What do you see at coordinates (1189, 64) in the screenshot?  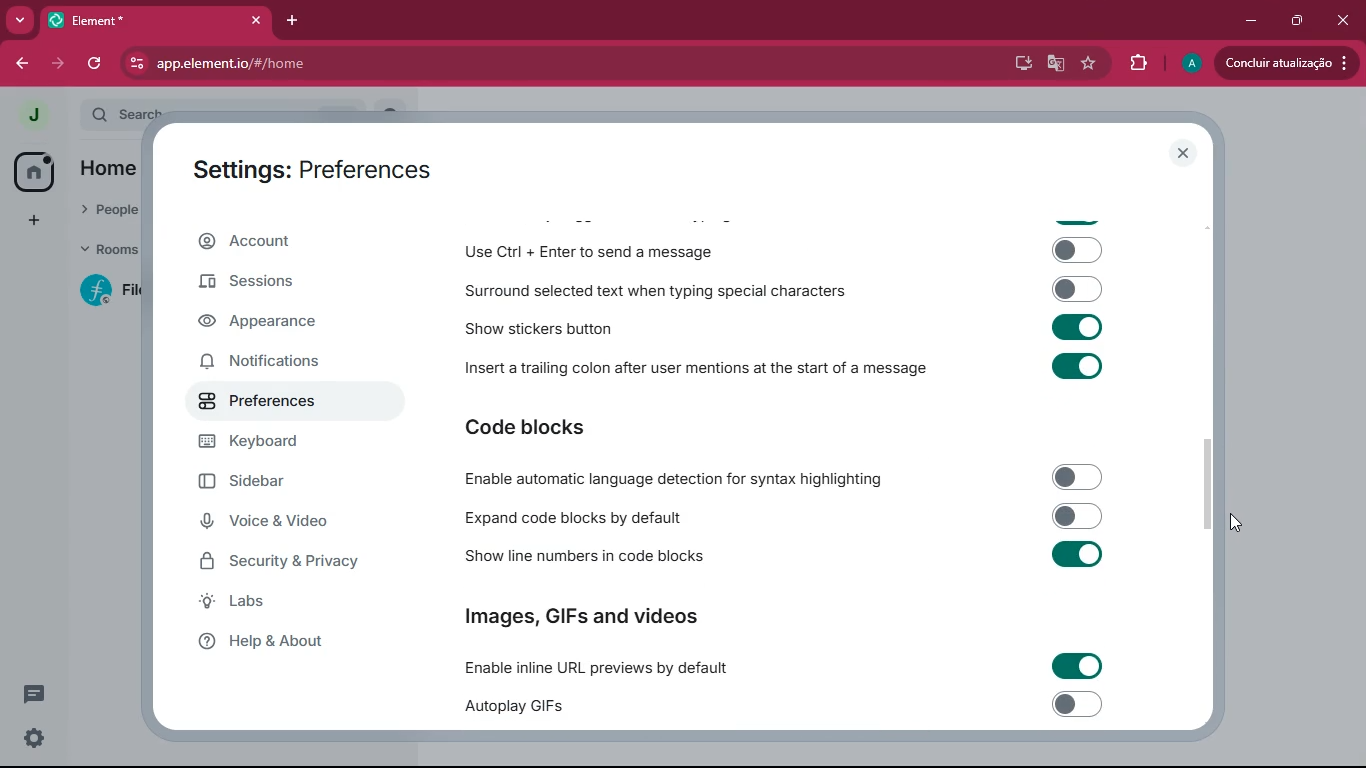 I see `profile` at bounding box center [1189, 64].